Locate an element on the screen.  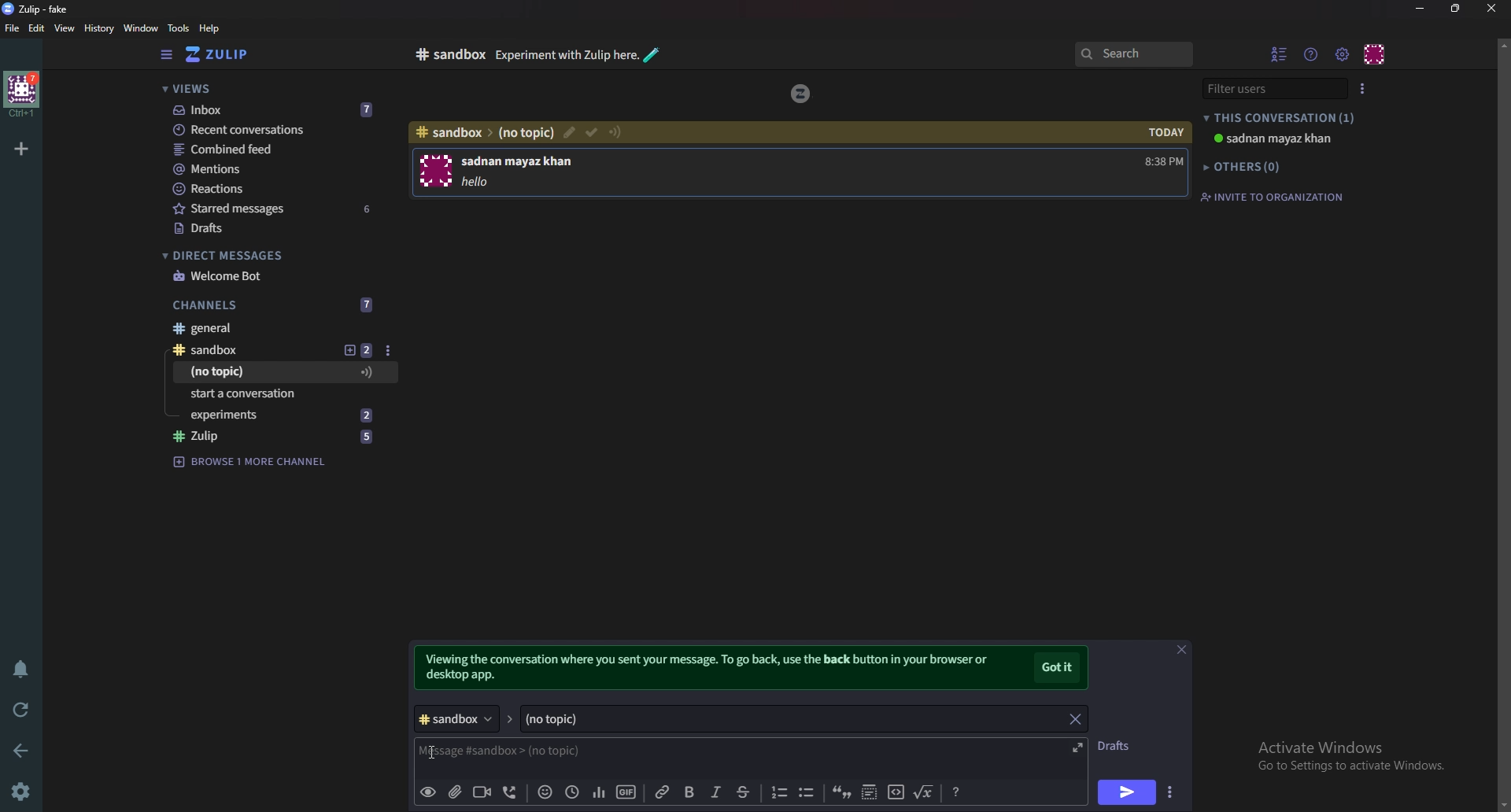
Bullet list is located at coordinates (808, 793).